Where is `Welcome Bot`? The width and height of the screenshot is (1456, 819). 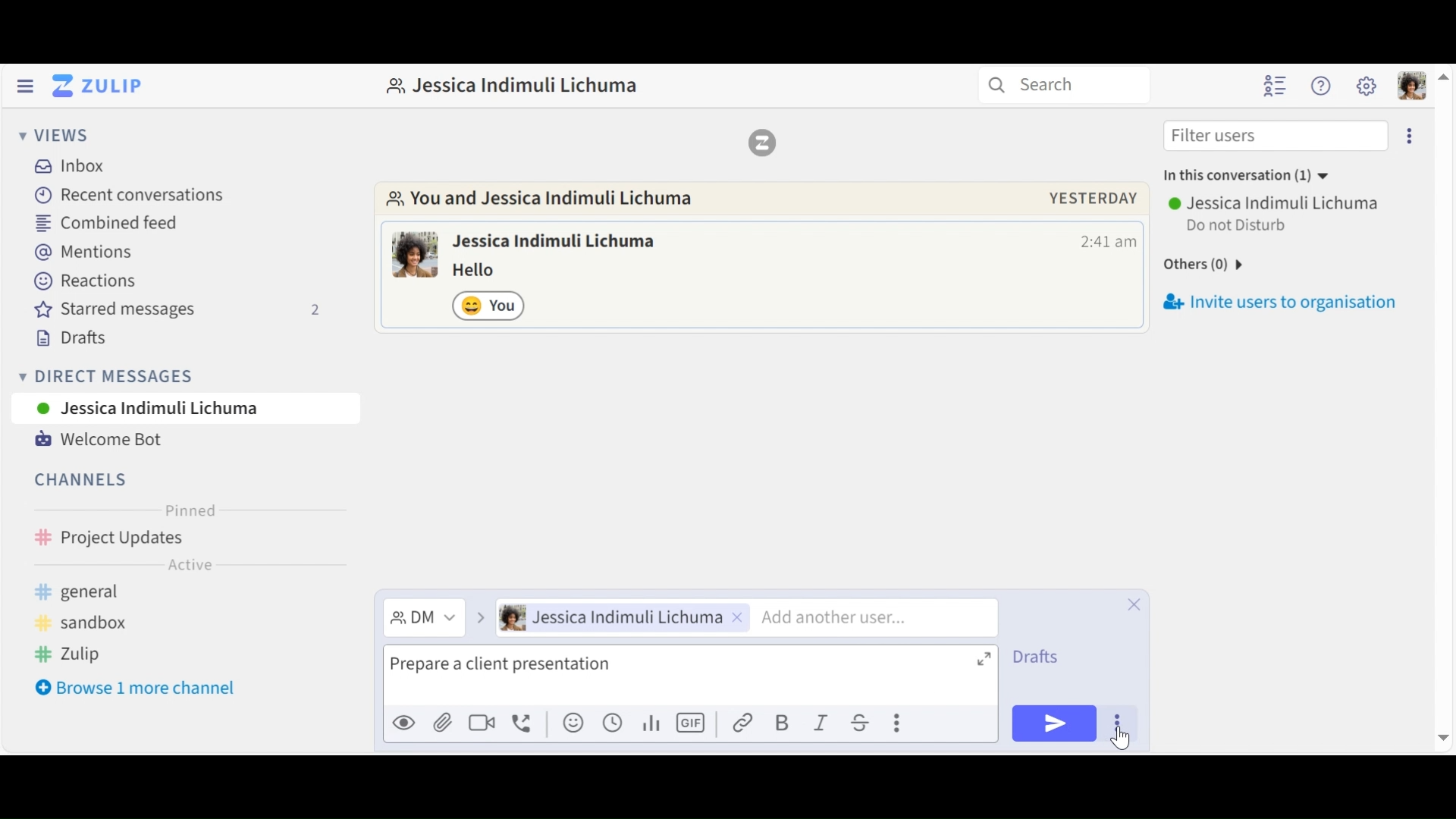
Welcome Bot is located at coordinates (98, 440).